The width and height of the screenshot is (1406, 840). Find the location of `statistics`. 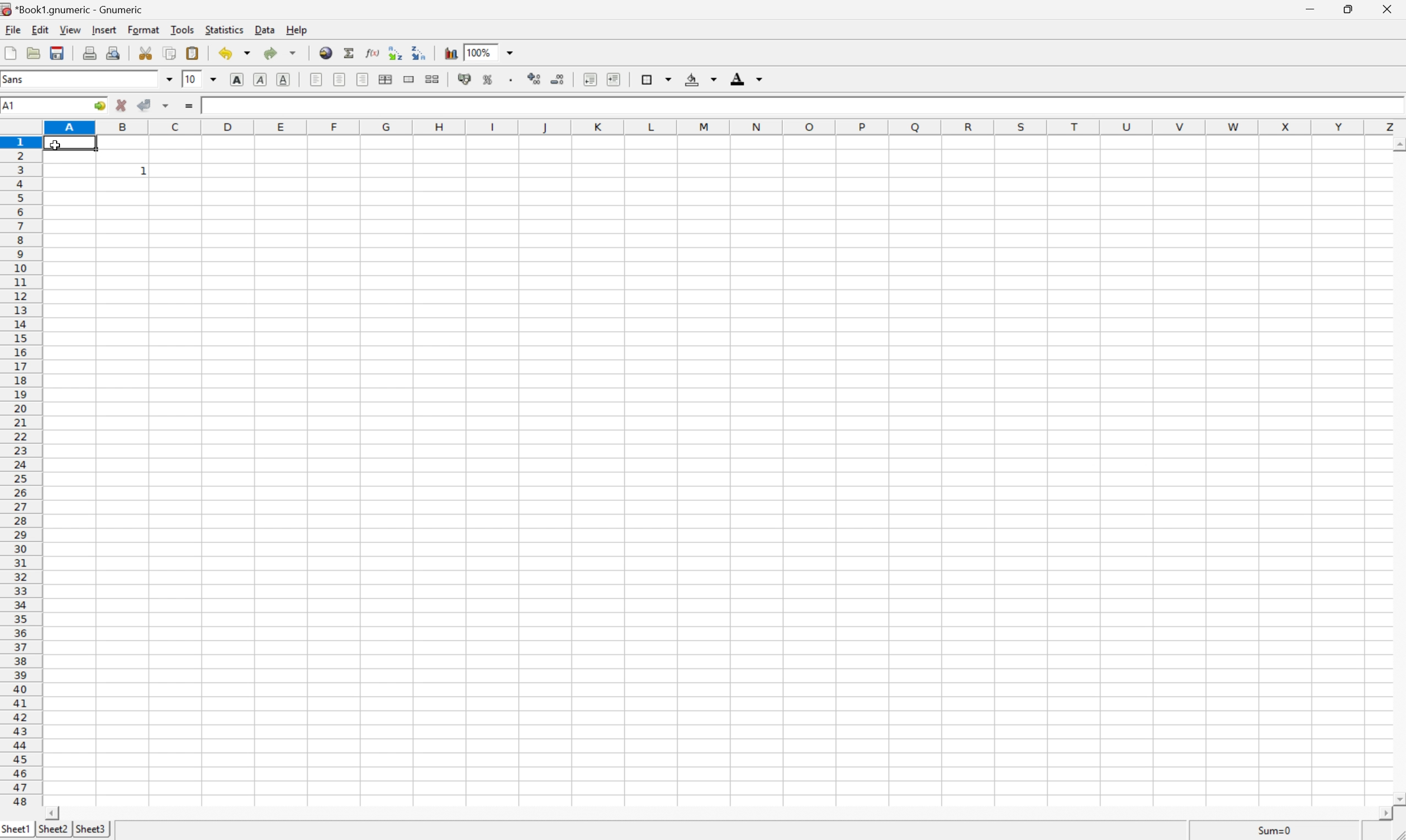

statistics is located at coordinates (224, 29).